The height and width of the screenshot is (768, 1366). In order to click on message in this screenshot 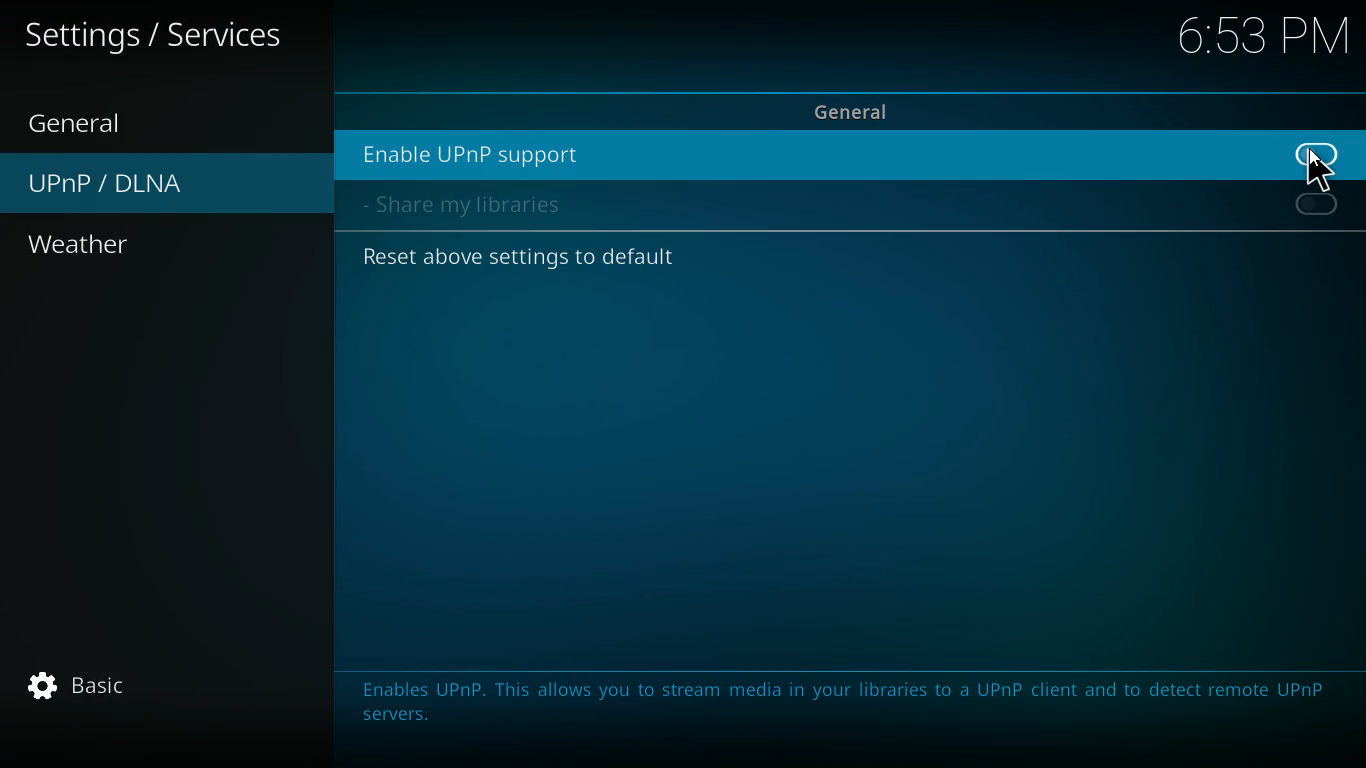, I will do `click(850, 706)`.